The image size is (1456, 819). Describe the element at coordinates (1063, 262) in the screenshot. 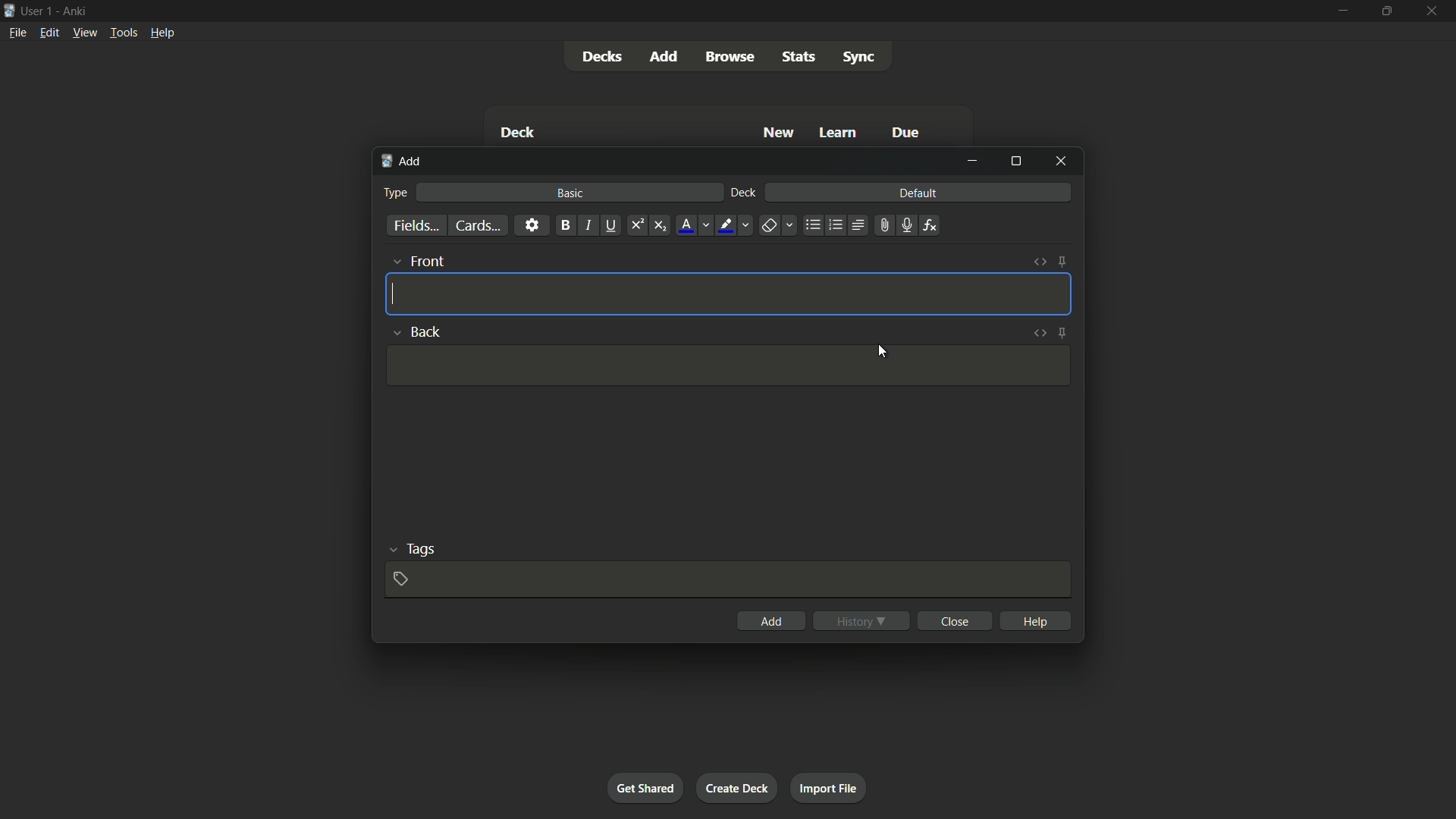

I see `toggle sticky` at that location.